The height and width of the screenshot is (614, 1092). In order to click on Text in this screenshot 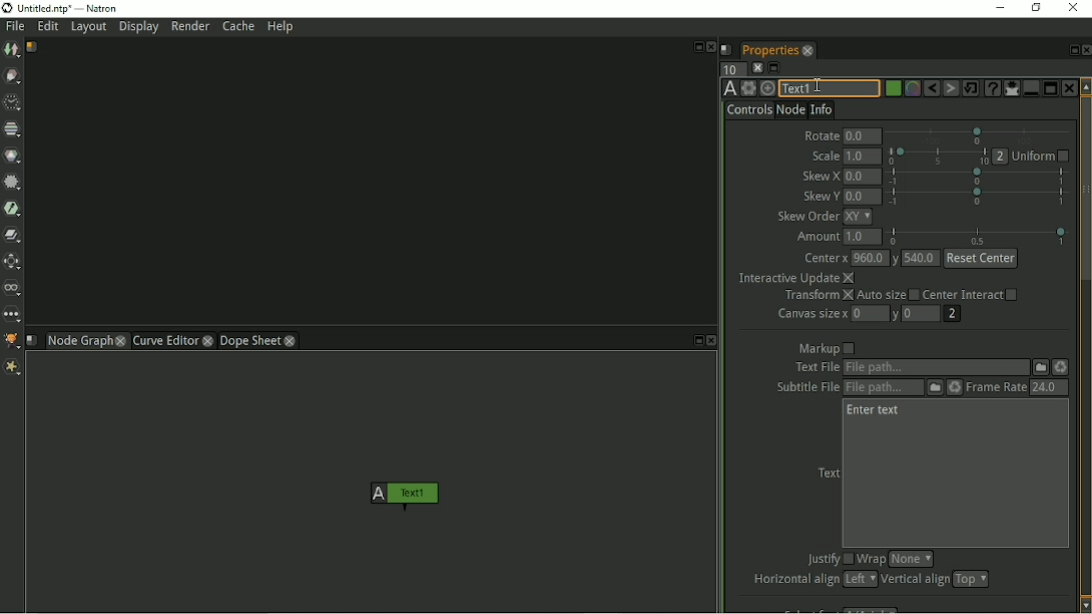, I will do `click(827, 473)`.